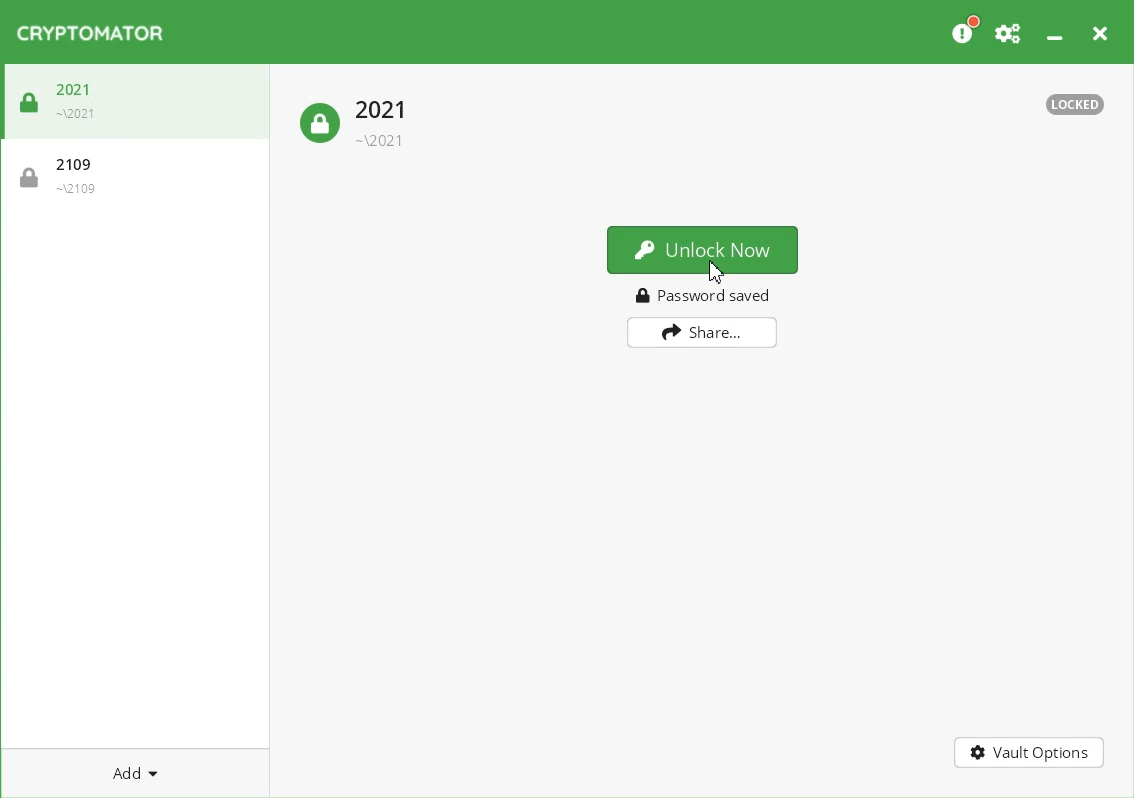  Describe the element at coordinates (94, 34) in the screenshot. I see `Cryptomator ` at that location.